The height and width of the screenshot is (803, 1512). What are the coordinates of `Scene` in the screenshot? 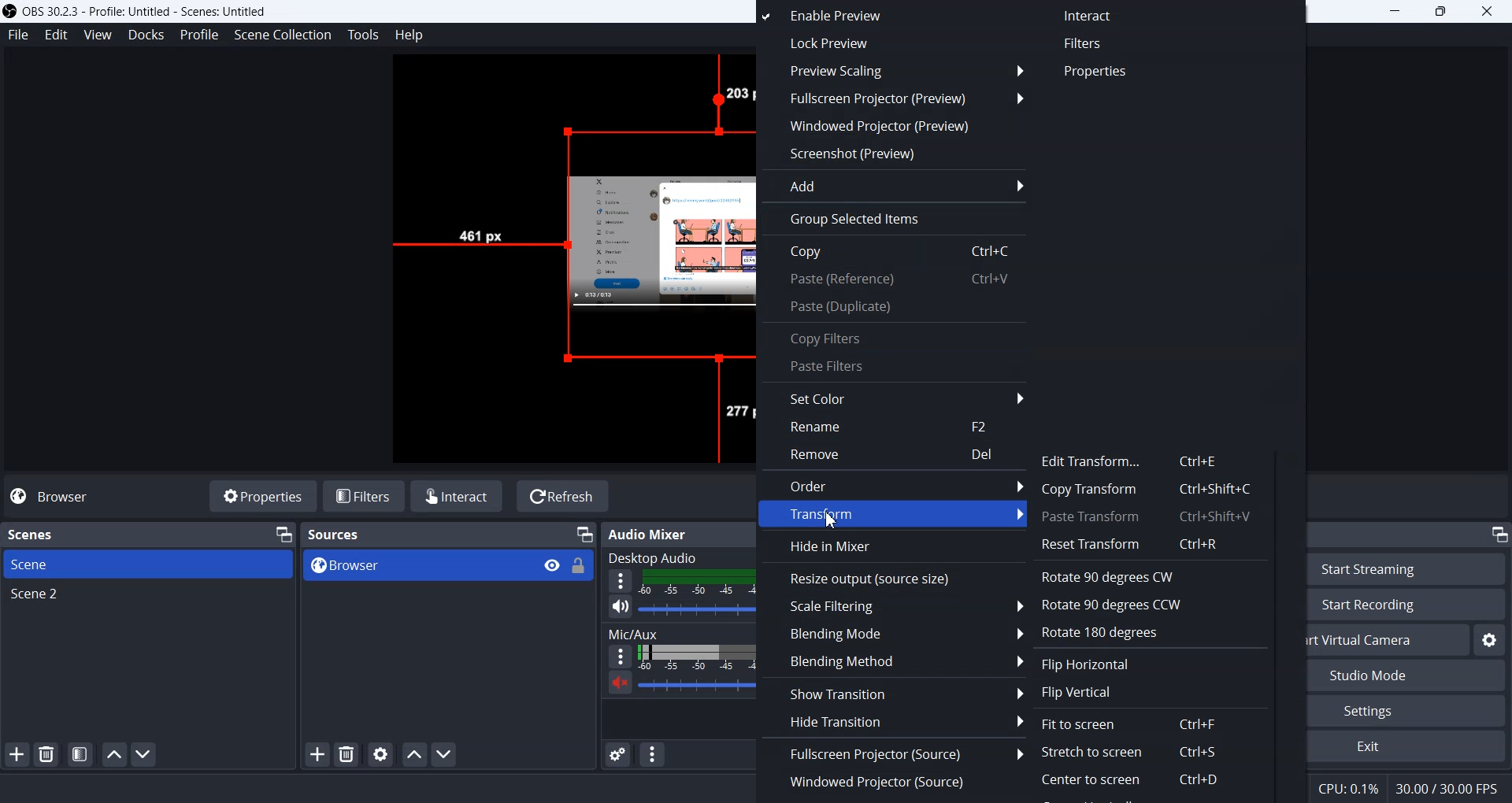 It's located at (149, 564).